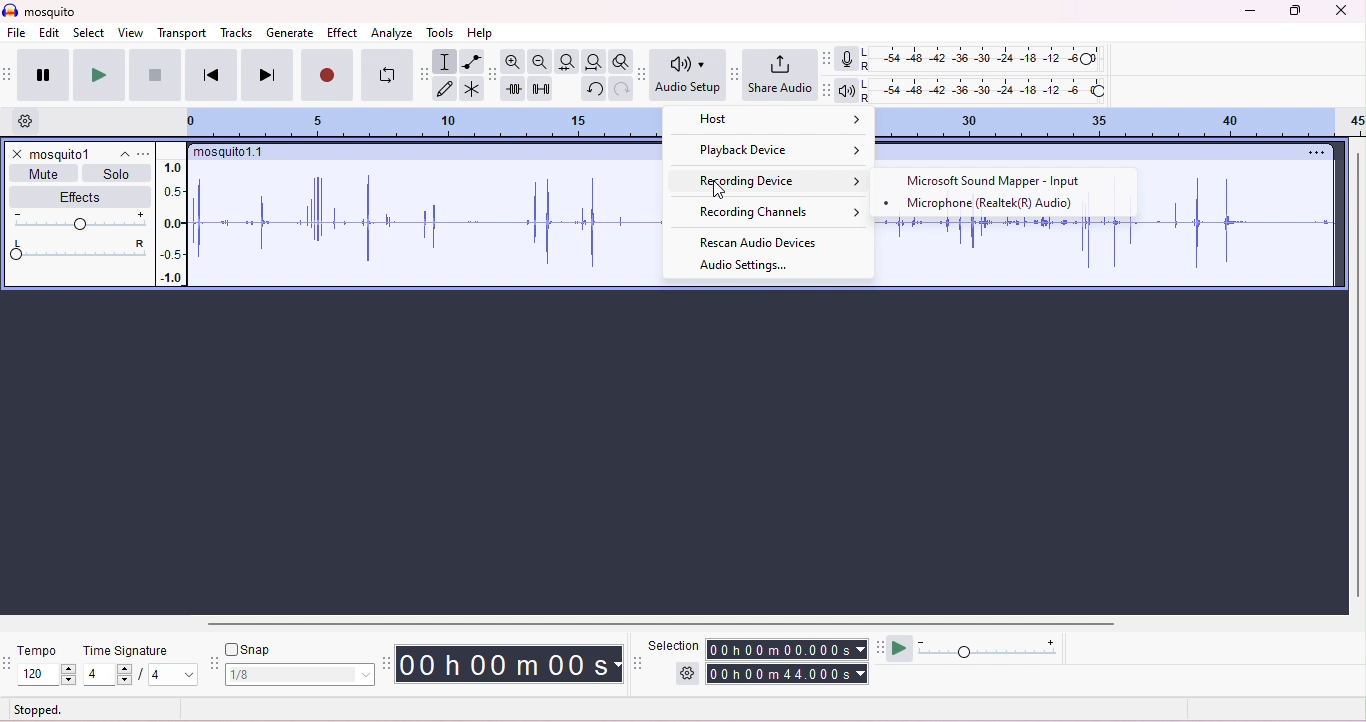 The image size is (1366, 722). I want to click on analyze, so click(394, 34).